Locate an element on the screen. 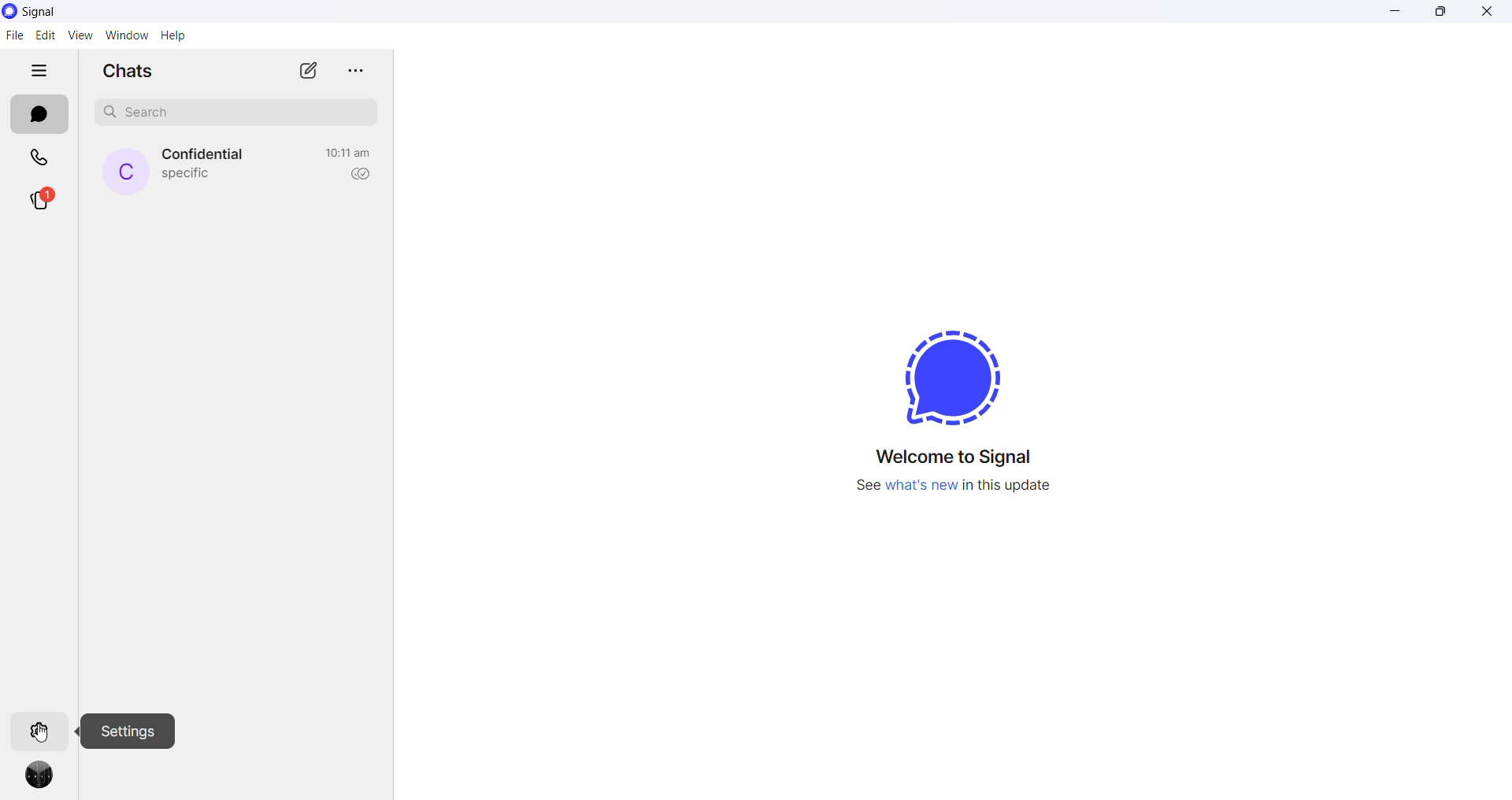 The image size is (1512, 800). update info is located at coordinates (953, 486).